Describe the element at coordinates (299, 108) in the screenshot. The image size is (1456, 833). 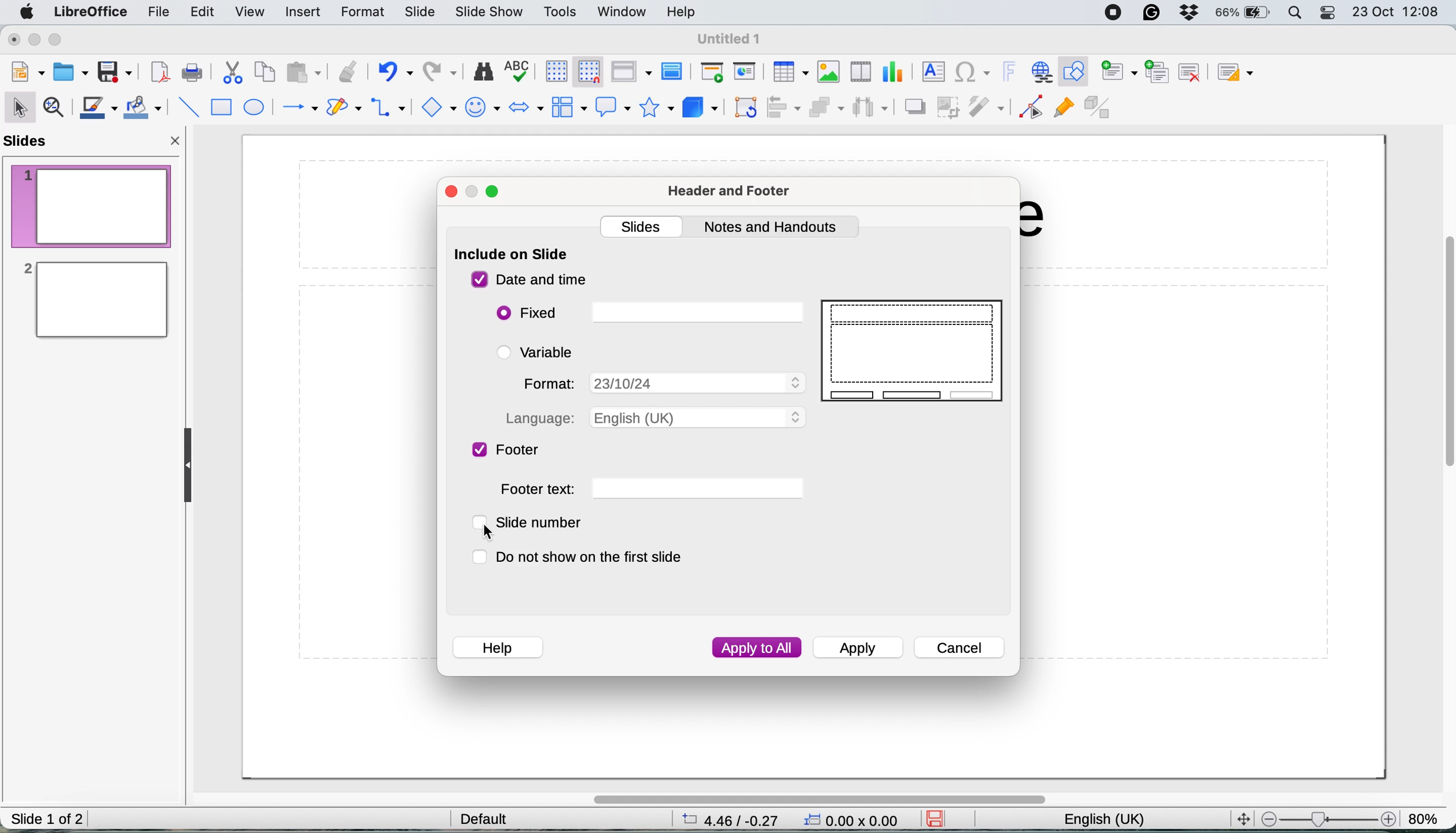
I see `insert arrow lines` at that location.